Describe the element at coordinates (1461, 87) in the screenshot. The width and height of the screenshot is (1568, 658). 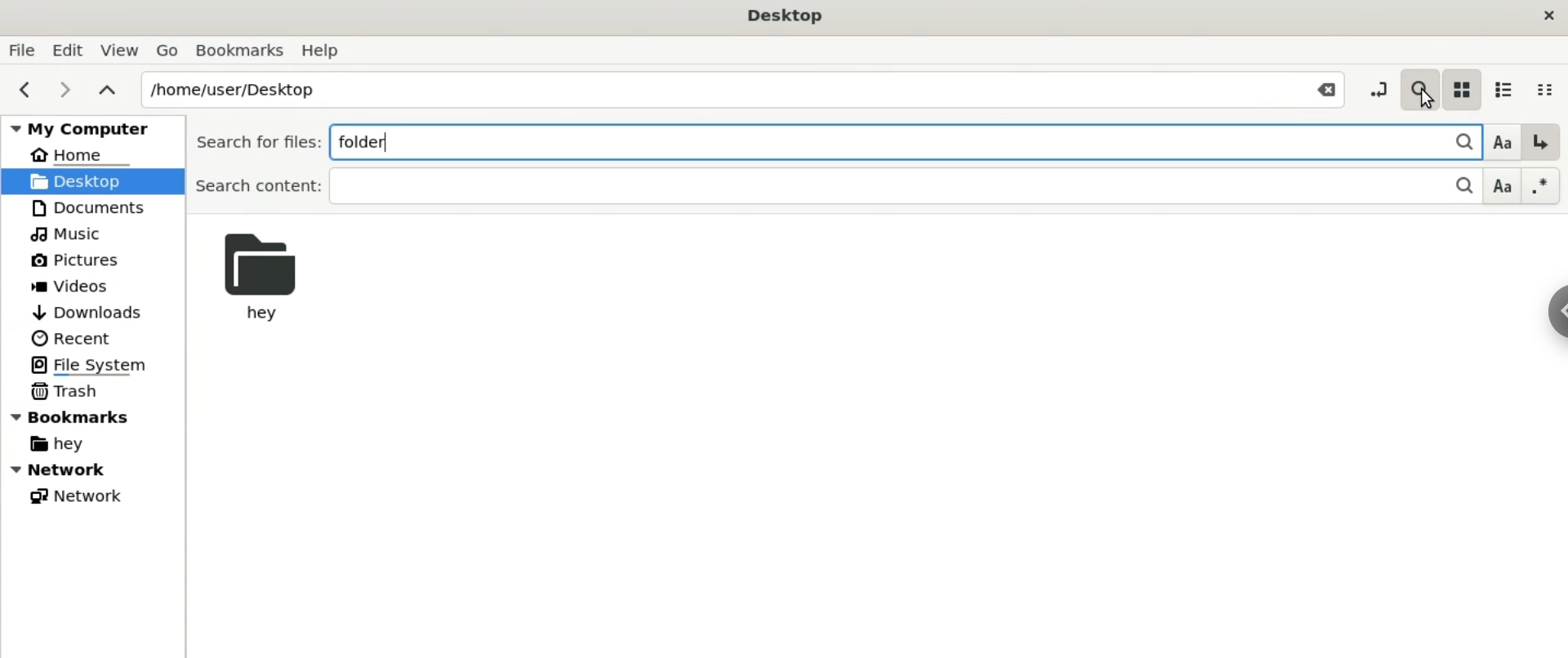
I see `icon view` at that location.